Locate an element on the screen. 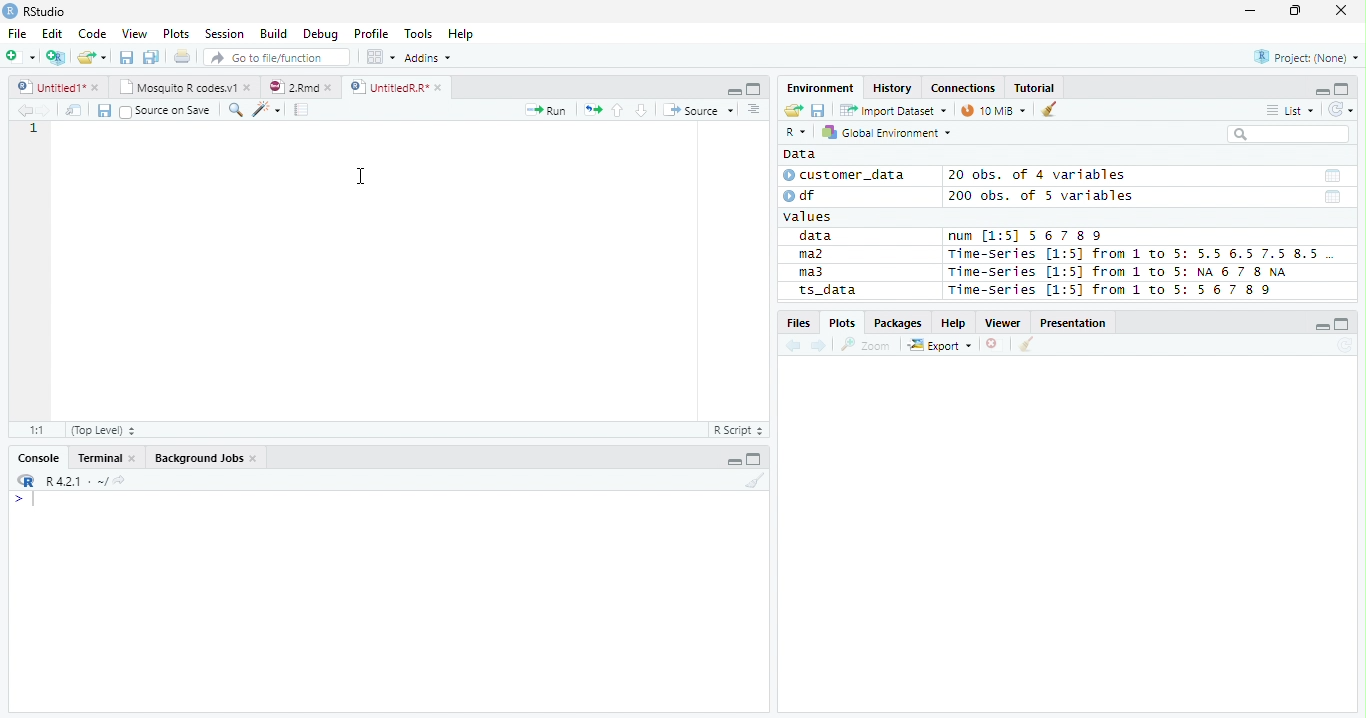 Image resolution: width=1366 pixels, height=718 pixels. Source on save is located at coordinates (166, 111).